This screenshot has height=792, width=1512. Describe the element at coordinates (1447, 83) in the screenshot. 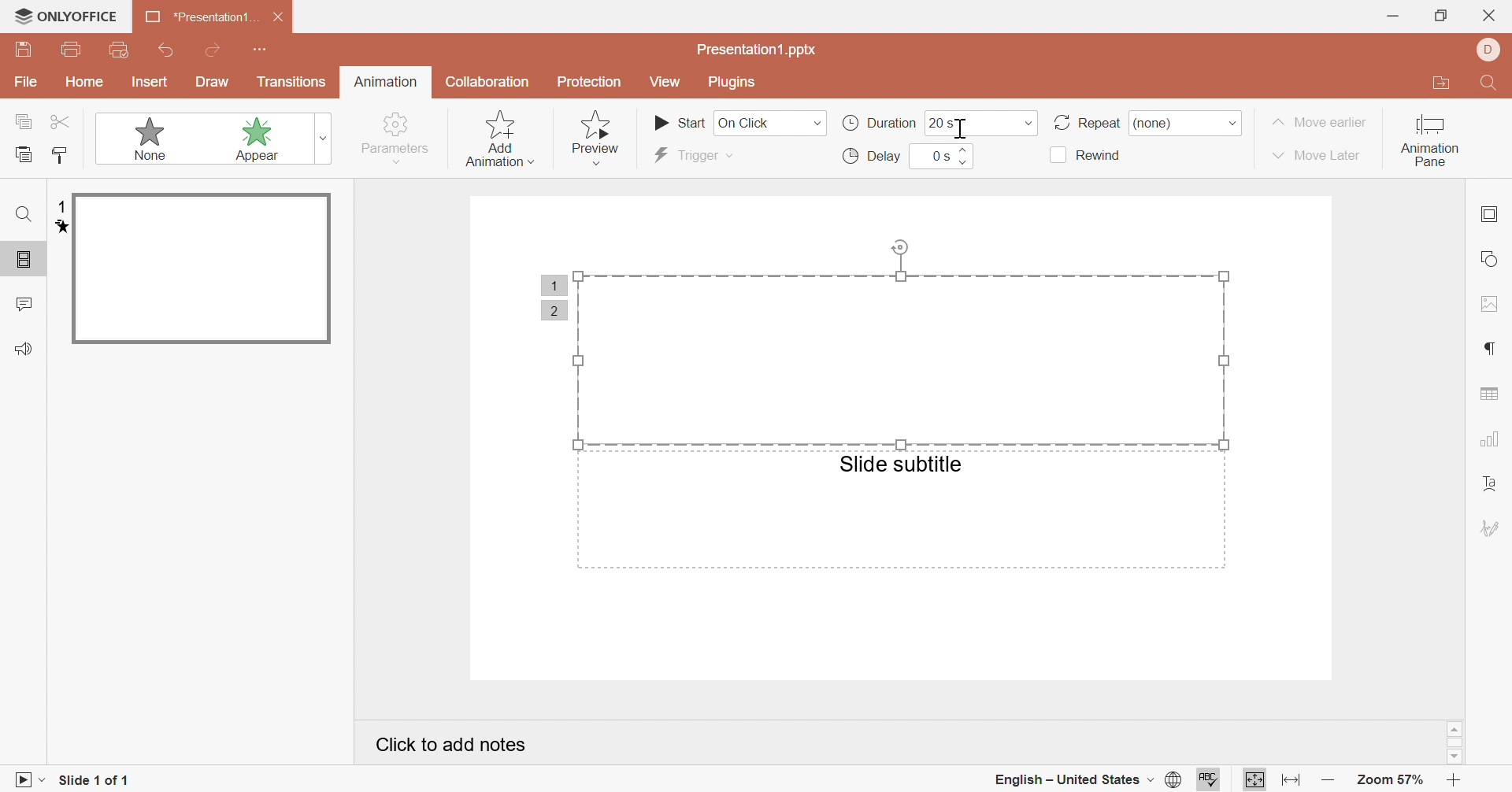

I see `open file location` at that location.